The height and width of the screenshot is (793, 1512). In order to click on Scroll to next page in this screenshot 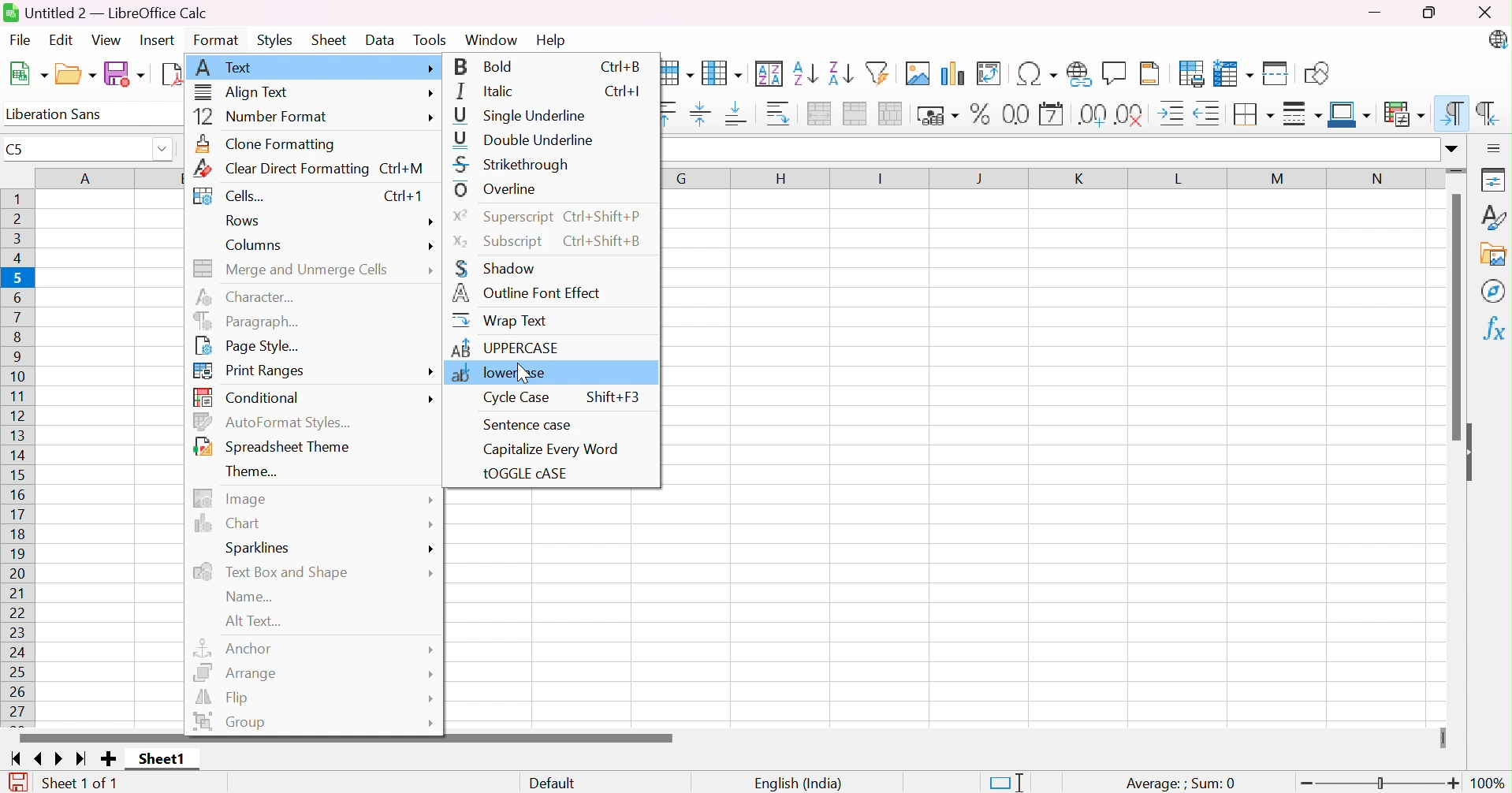, I will do `click(63, 758)`.